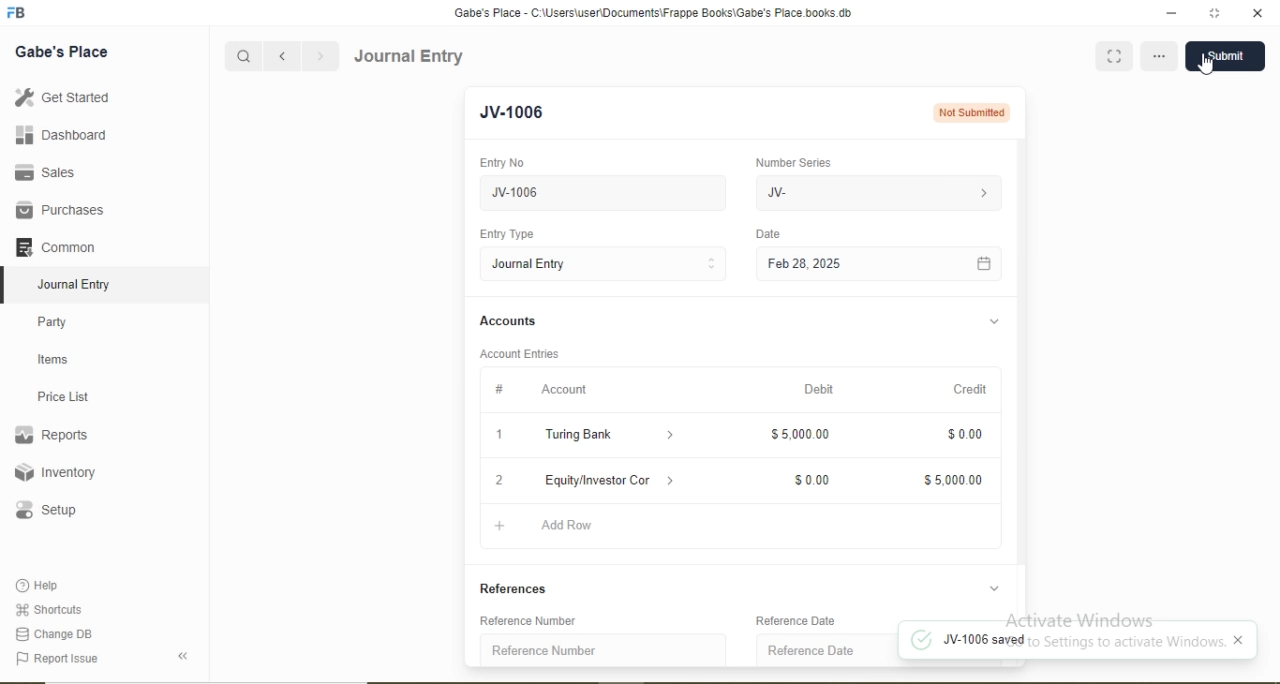  Describe the element at coordinates (501, 162) in the screenshot. I see `Entry No` at that location.